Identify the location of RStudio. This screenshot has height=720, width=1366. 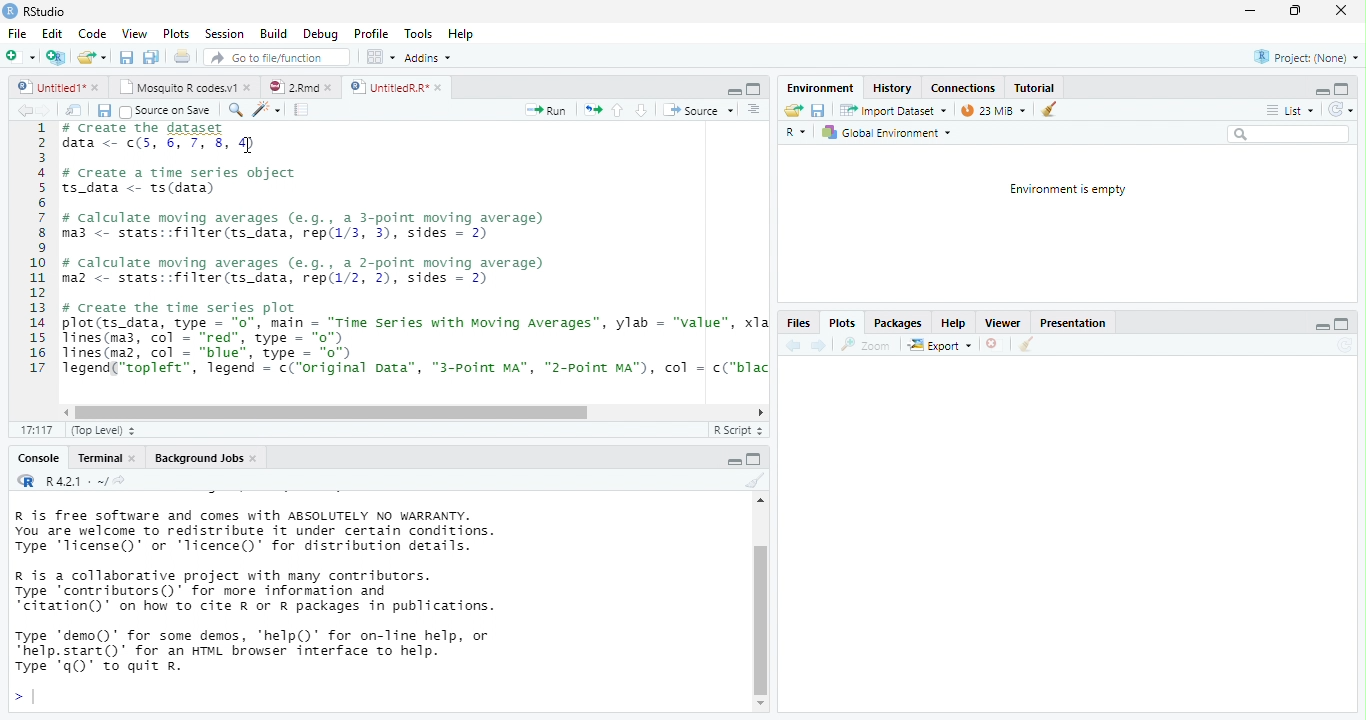
(36, 10).